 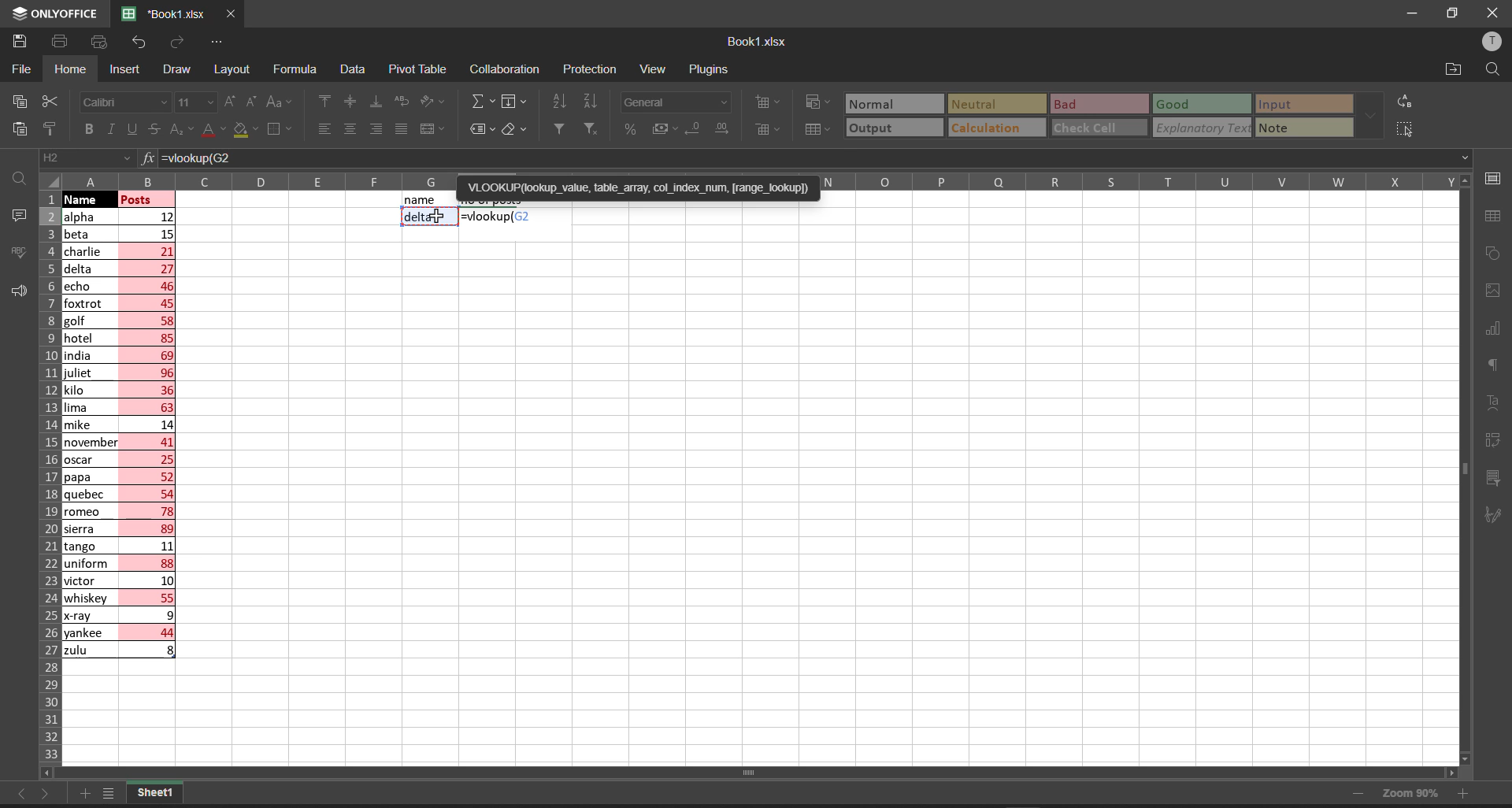 I want to click on pivot table settings, so click(x=1498, y=439).